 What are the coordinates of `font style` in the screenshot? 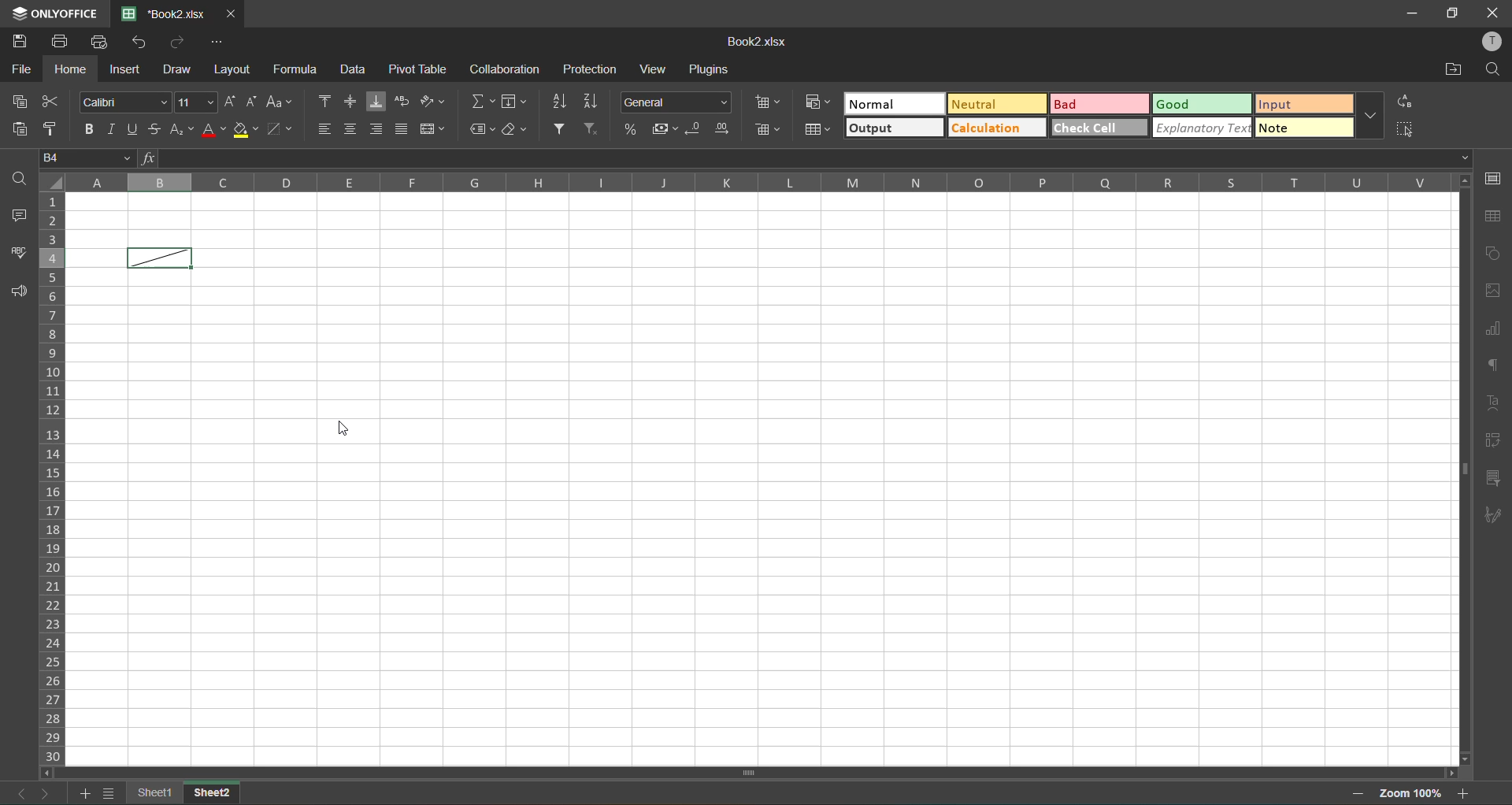 It's located at (126, 102).